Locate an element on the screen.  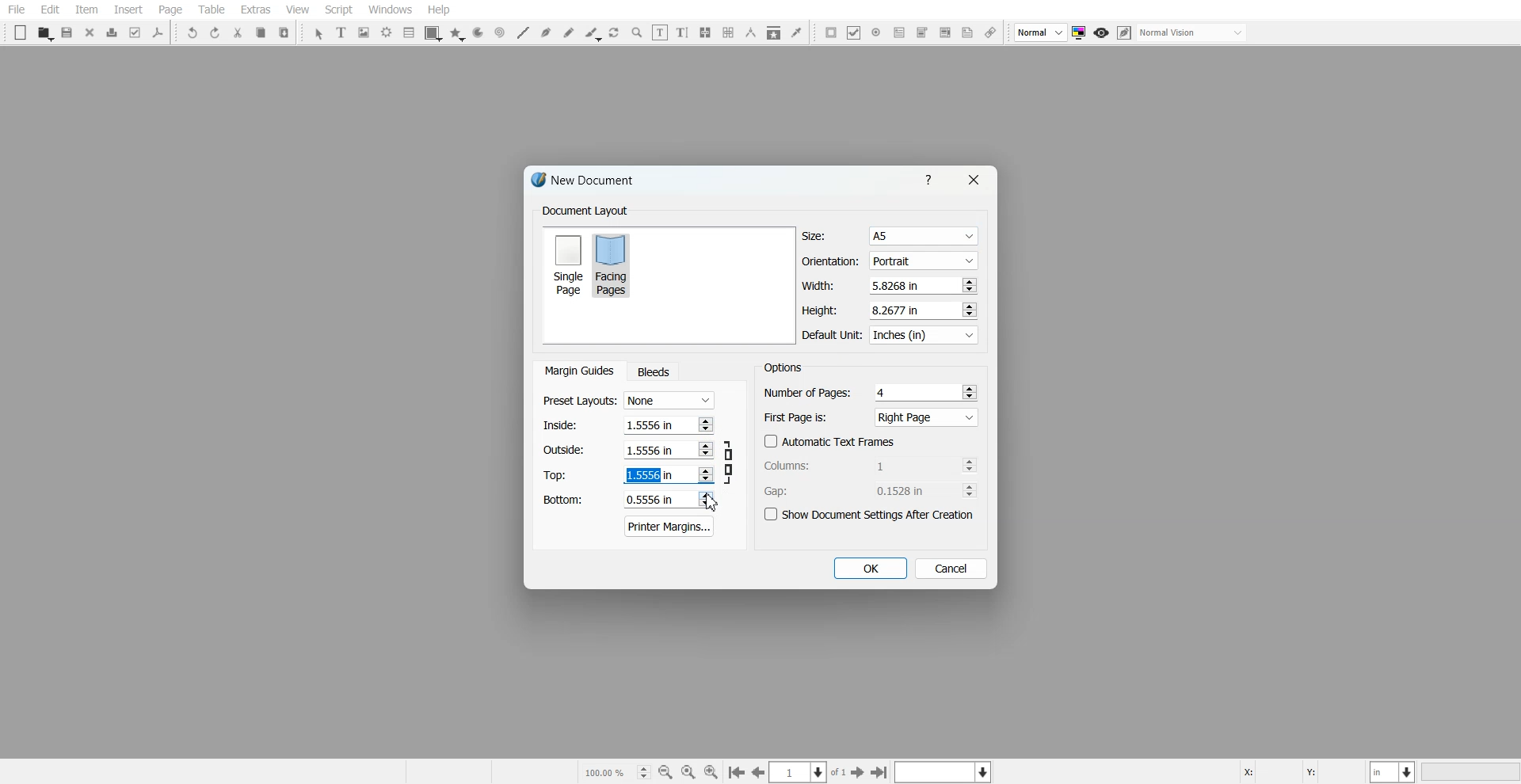
List is located at coordinates (410, 32).